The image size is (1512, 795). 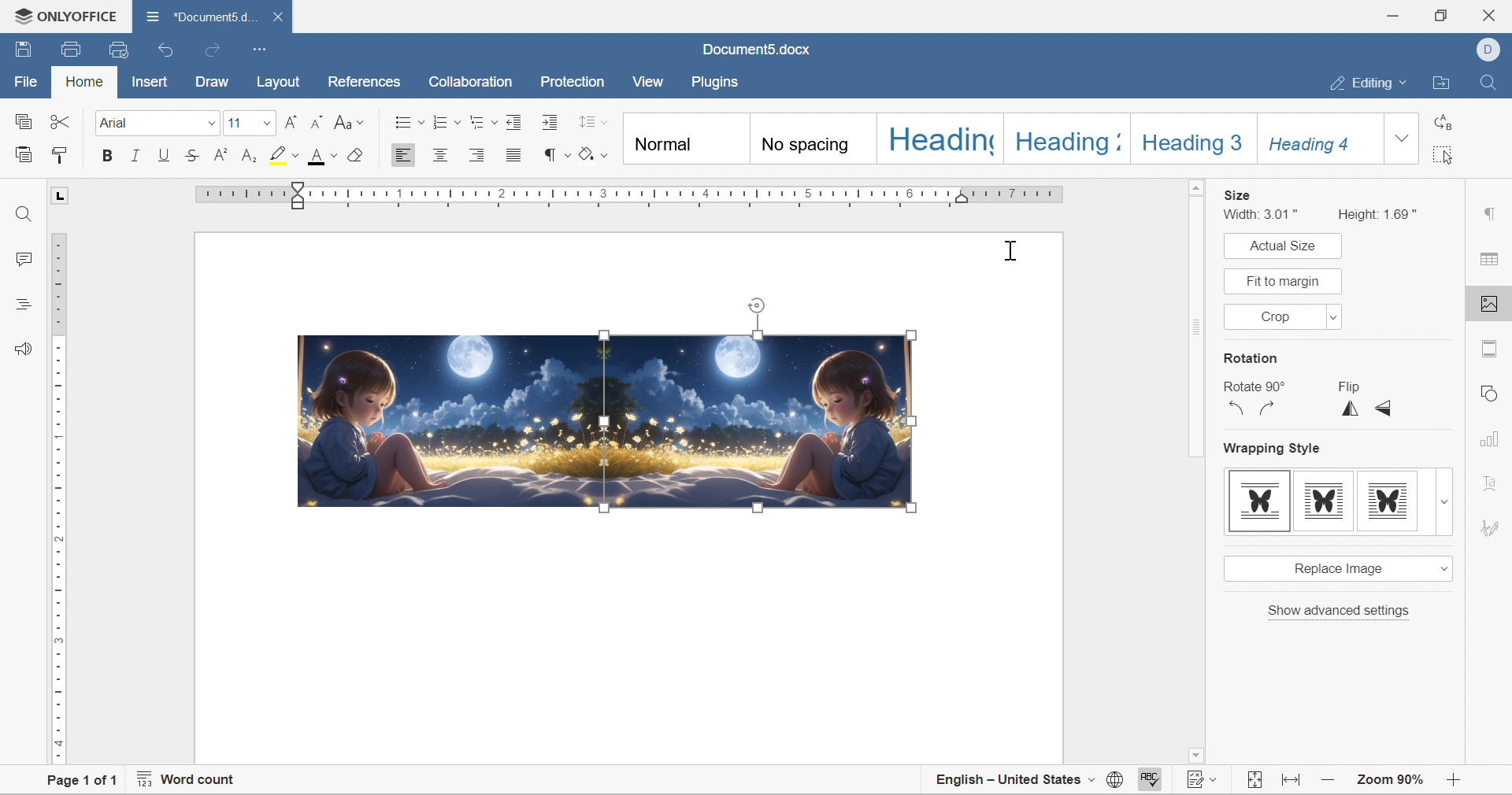 I want to click on page 1 of 1, so click(x=85, y=784).